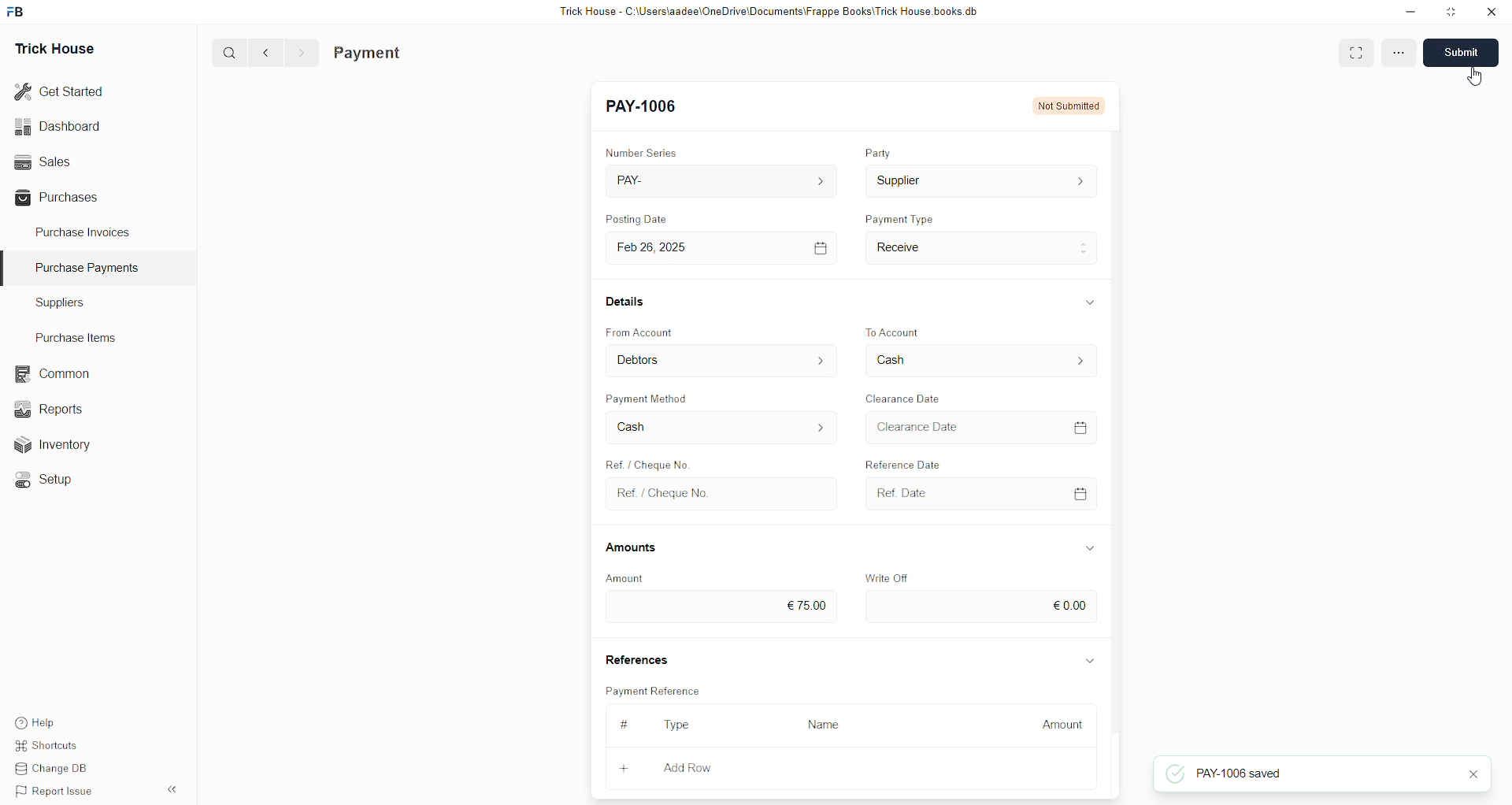 This screenshot has width=1512, height=805. What do you see at coordinates (680, 725) in the screenshot?
I see `Type` at bounding box center [680, 725].